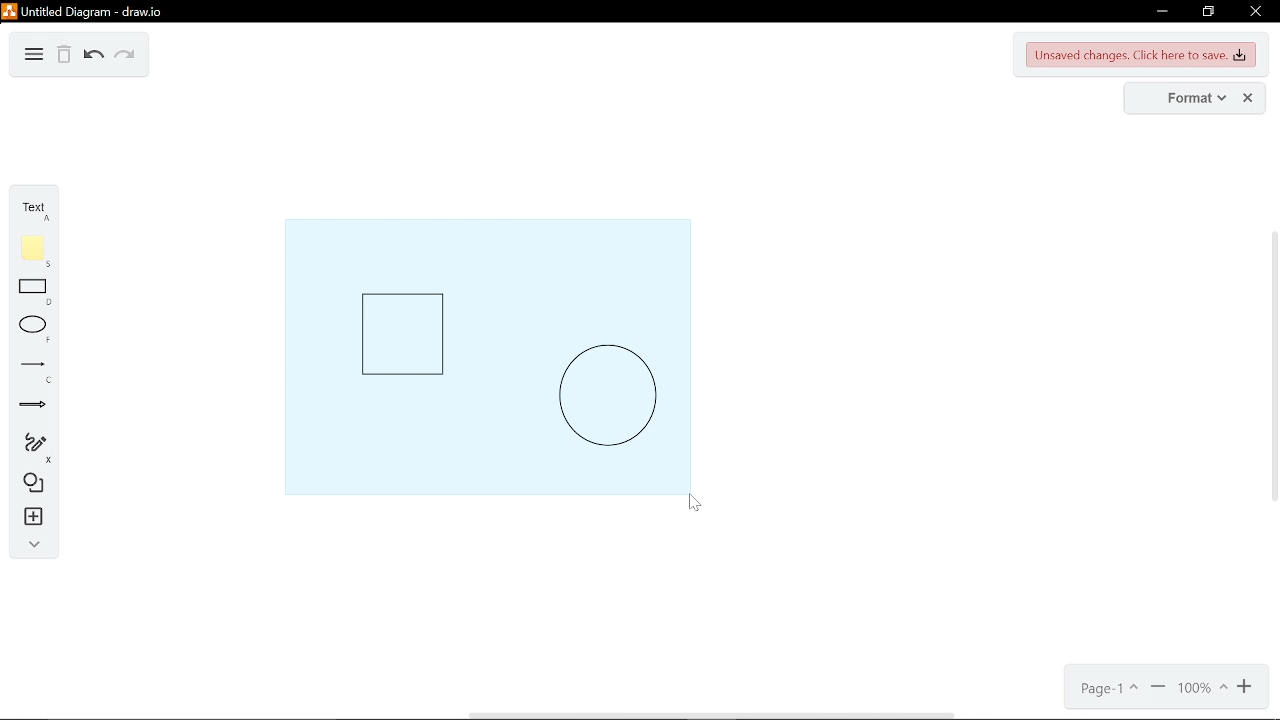  I want to click on objects being selected together, so click(484, 352).